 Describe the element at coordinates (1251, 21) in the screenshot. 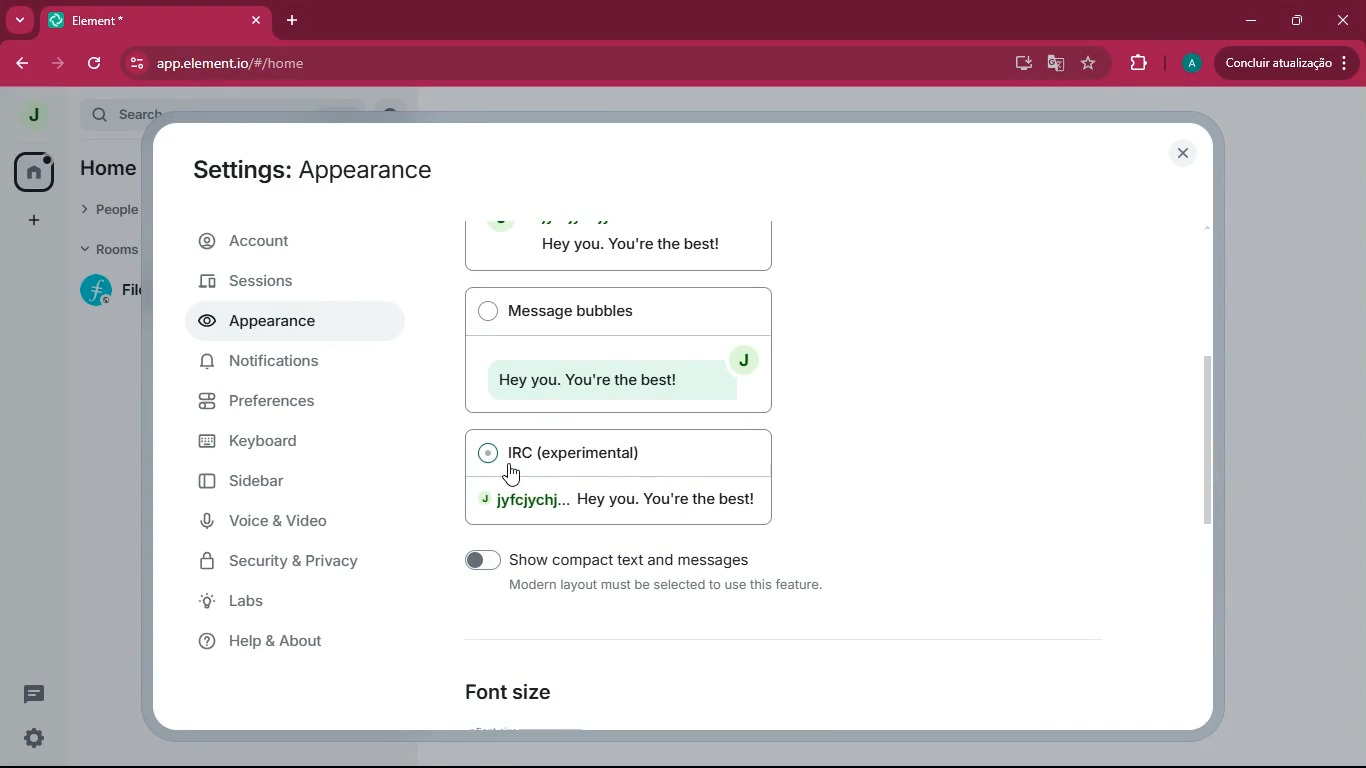

I see `minimize` at that location.